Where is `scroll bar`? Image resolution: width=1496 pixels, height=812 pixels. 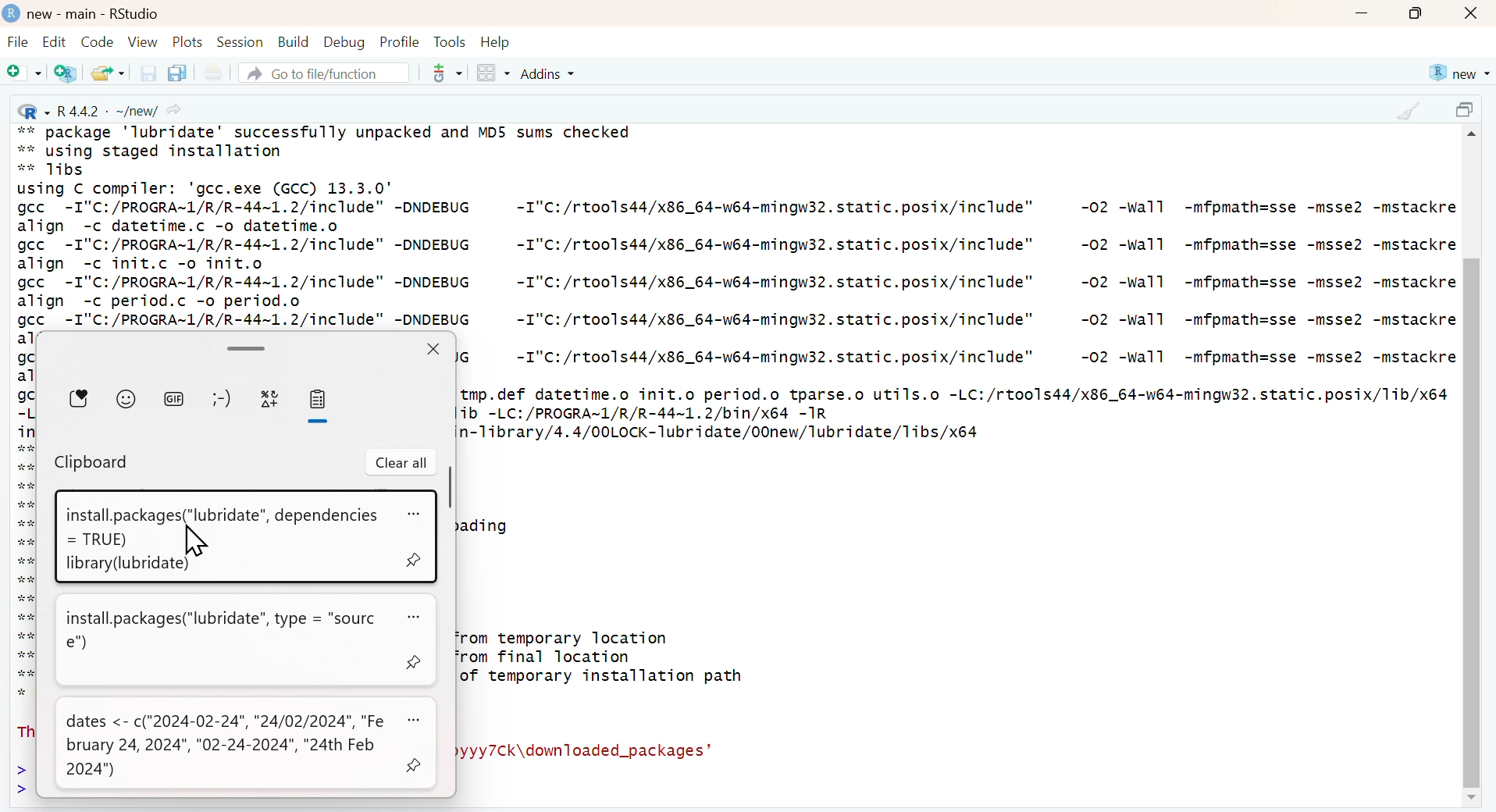
scroll bar is located at coordinates (1470, 522).